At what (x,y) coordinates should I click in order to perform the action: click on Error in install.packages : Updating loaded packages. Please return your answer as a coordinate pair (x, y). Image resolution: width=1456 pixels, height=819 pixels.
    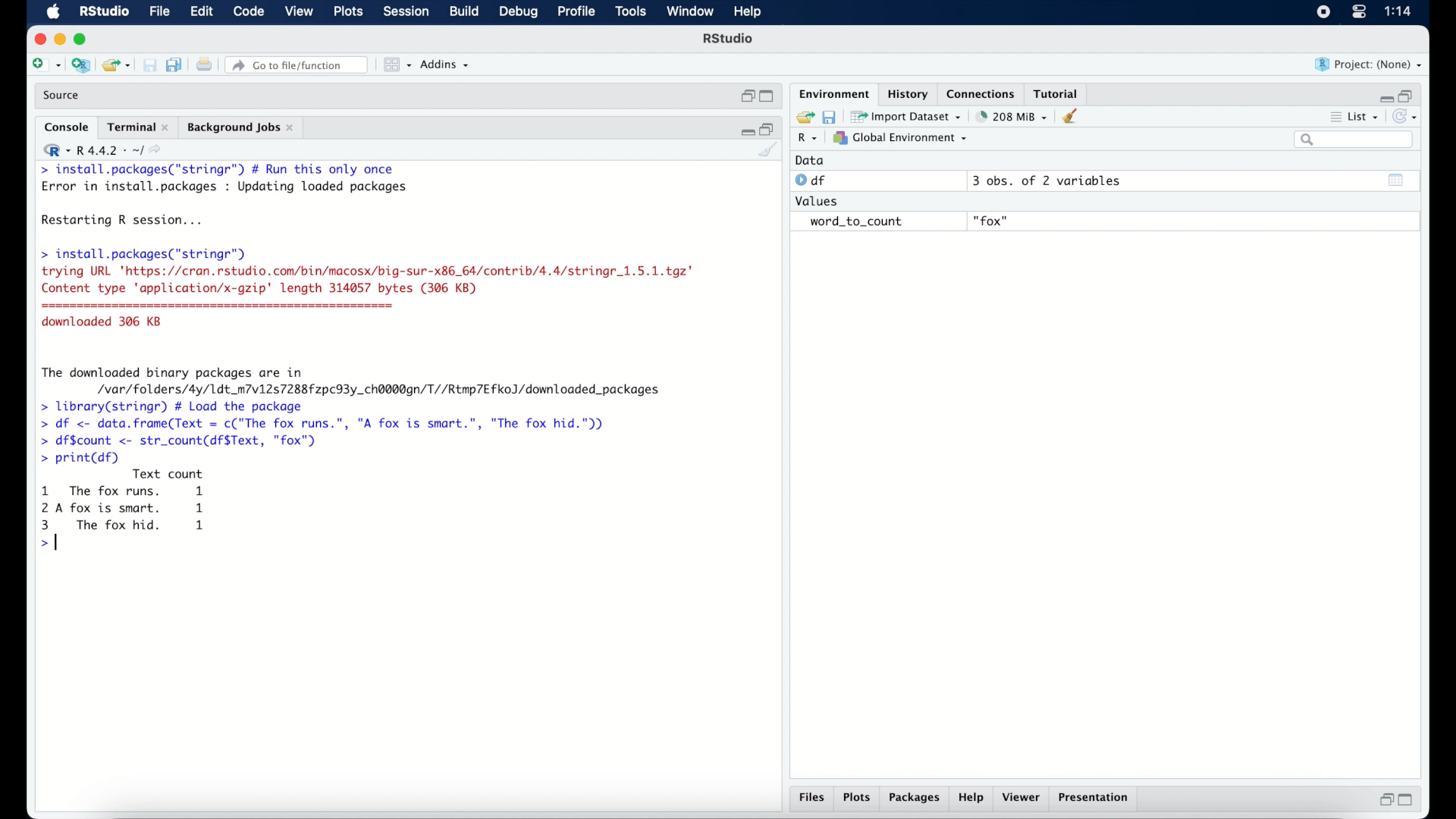
    Looking at the image, I should click on (224, 187).